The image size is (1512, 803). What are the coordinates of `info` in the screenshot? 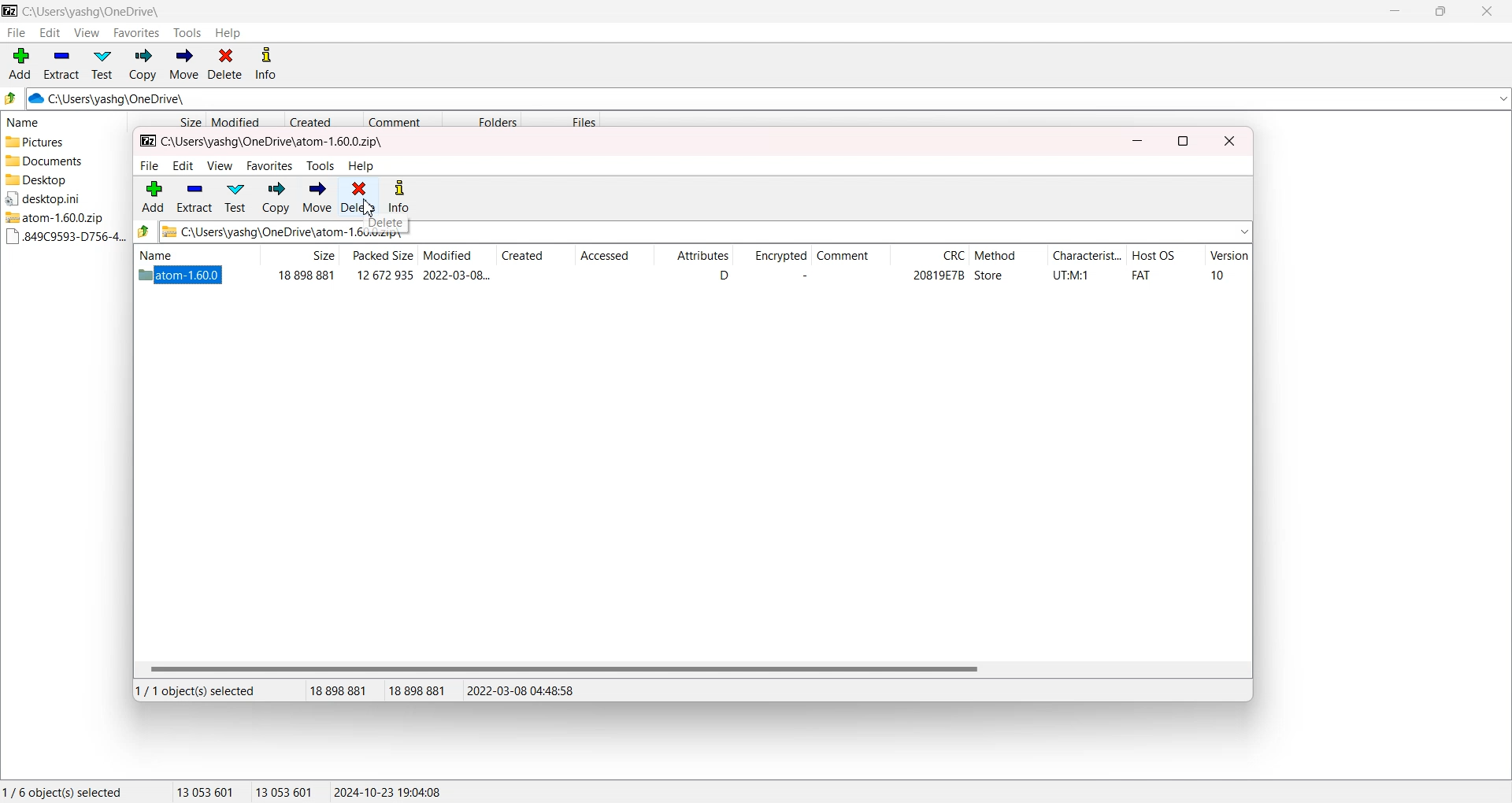 It's located at (399, 198).